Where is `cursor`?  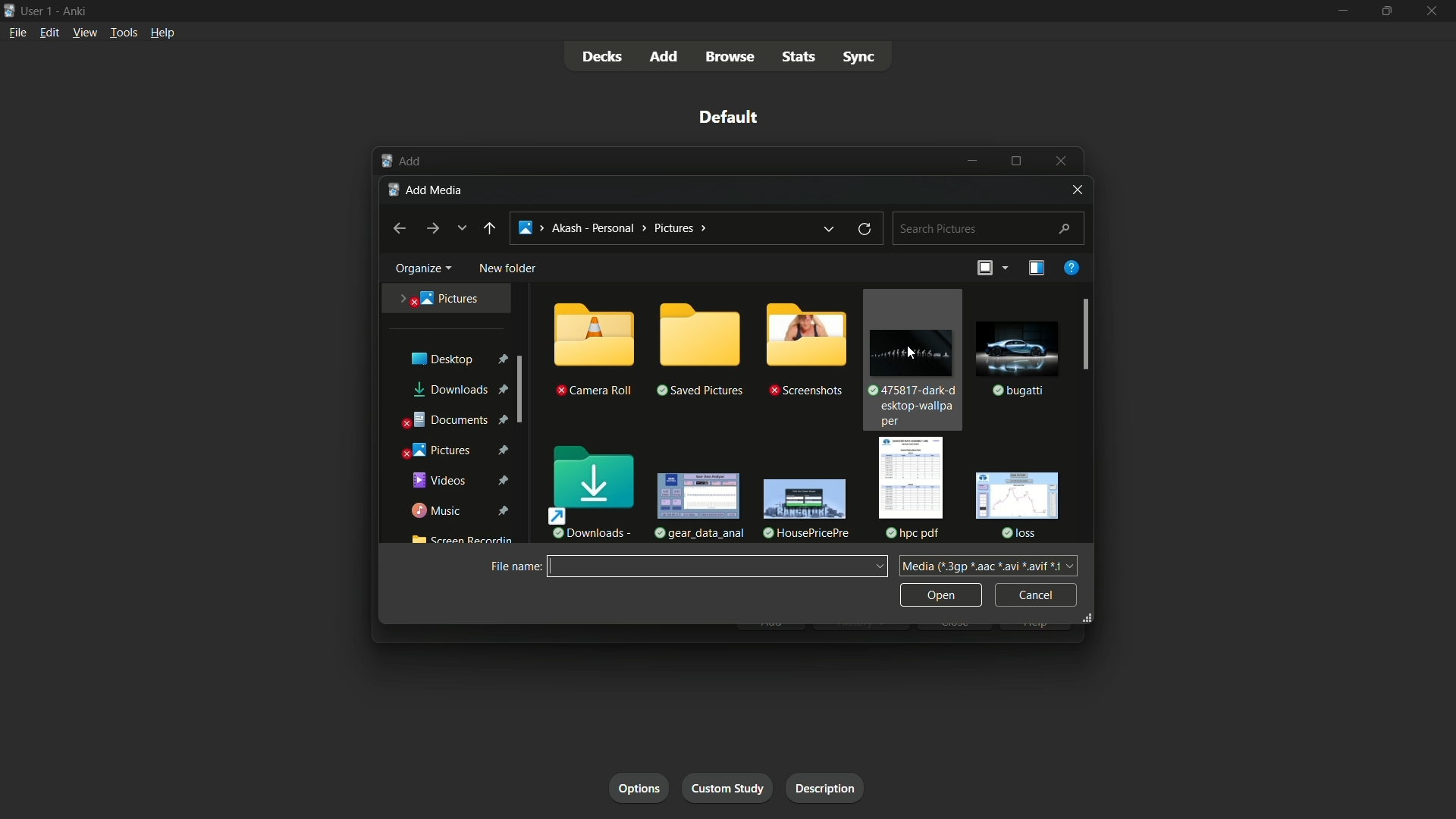
cursor is located at coordinates (915, 352).